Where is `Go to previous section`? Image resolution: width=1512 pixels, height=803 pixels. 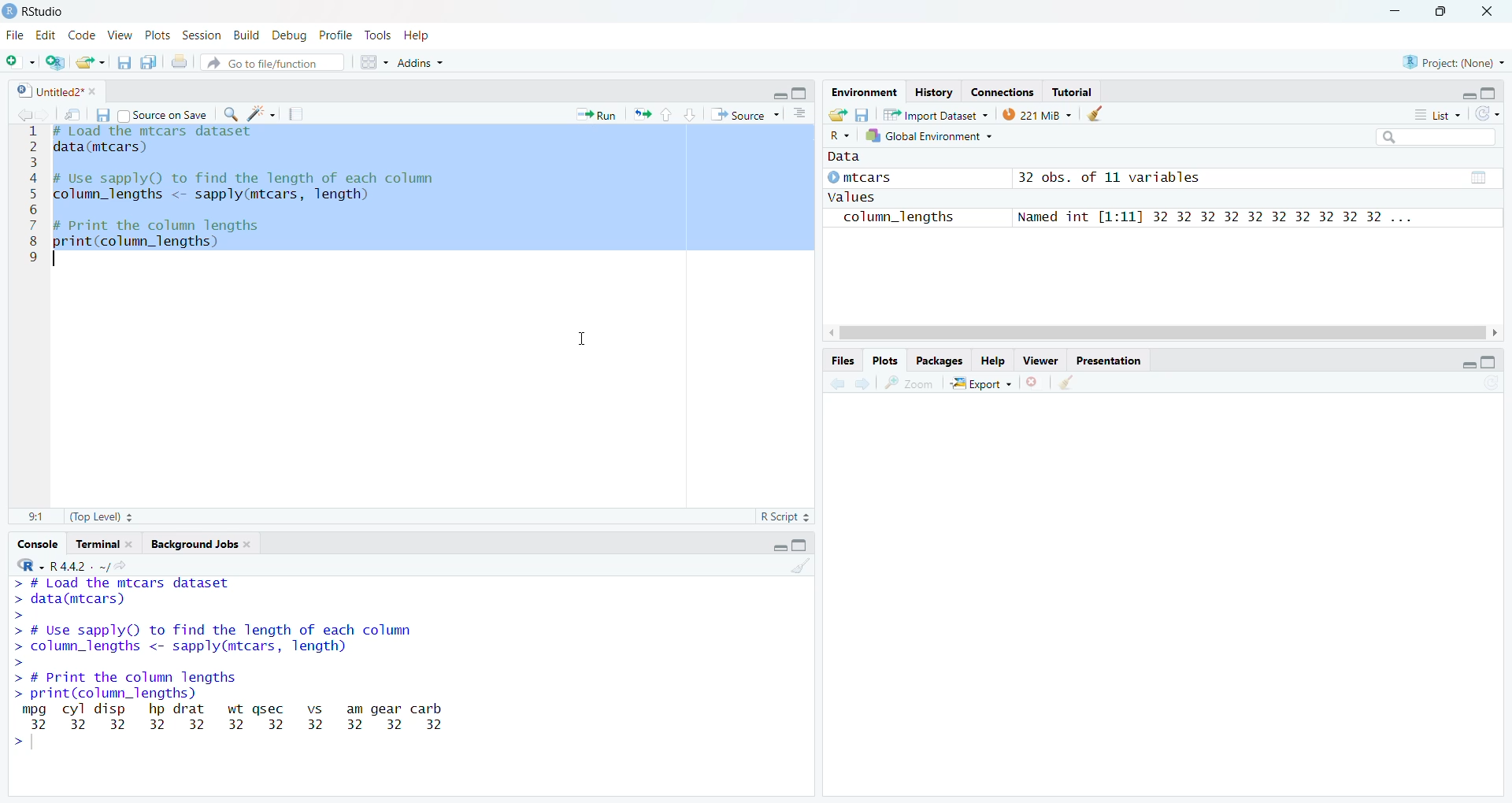
Go to previous section is located at coordinates (665, 114).